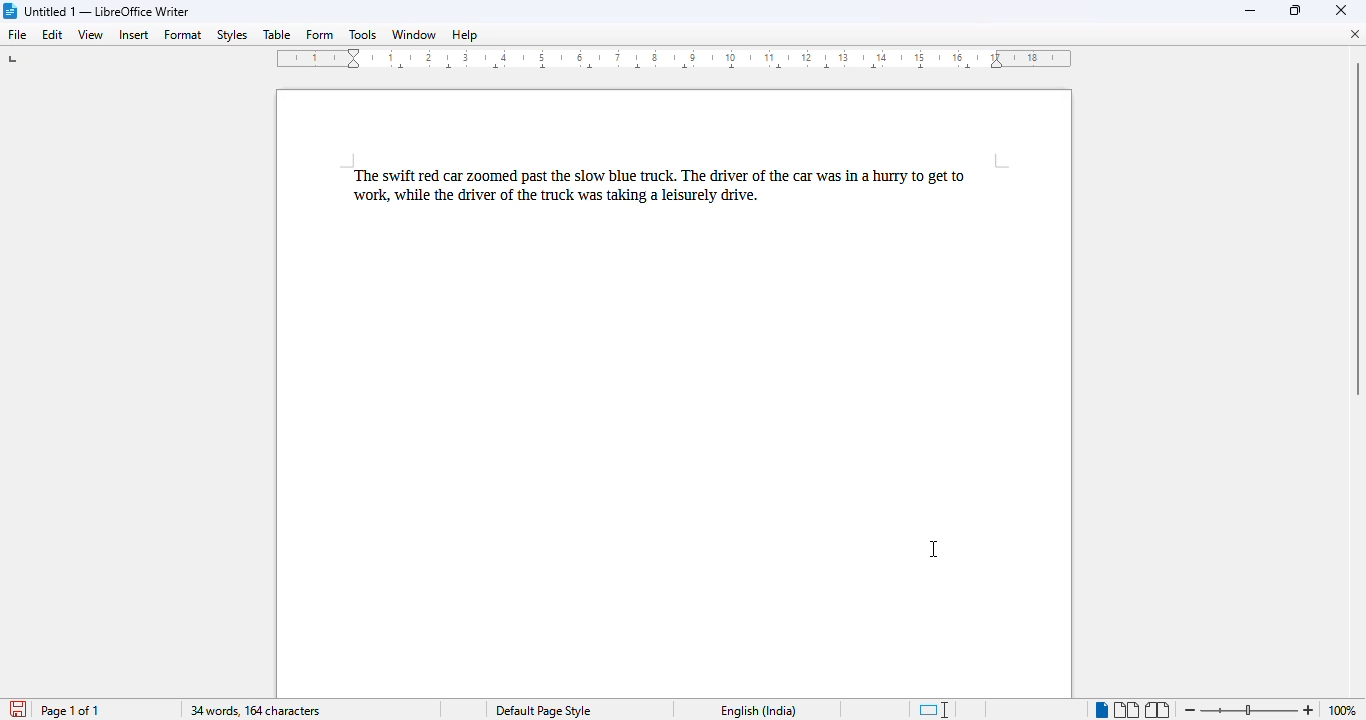 Image resolution: width=1366 pixels, height=720 pixels. Describe the element at coordinates (184, 34) in the screenshot. I see `format` at that location.